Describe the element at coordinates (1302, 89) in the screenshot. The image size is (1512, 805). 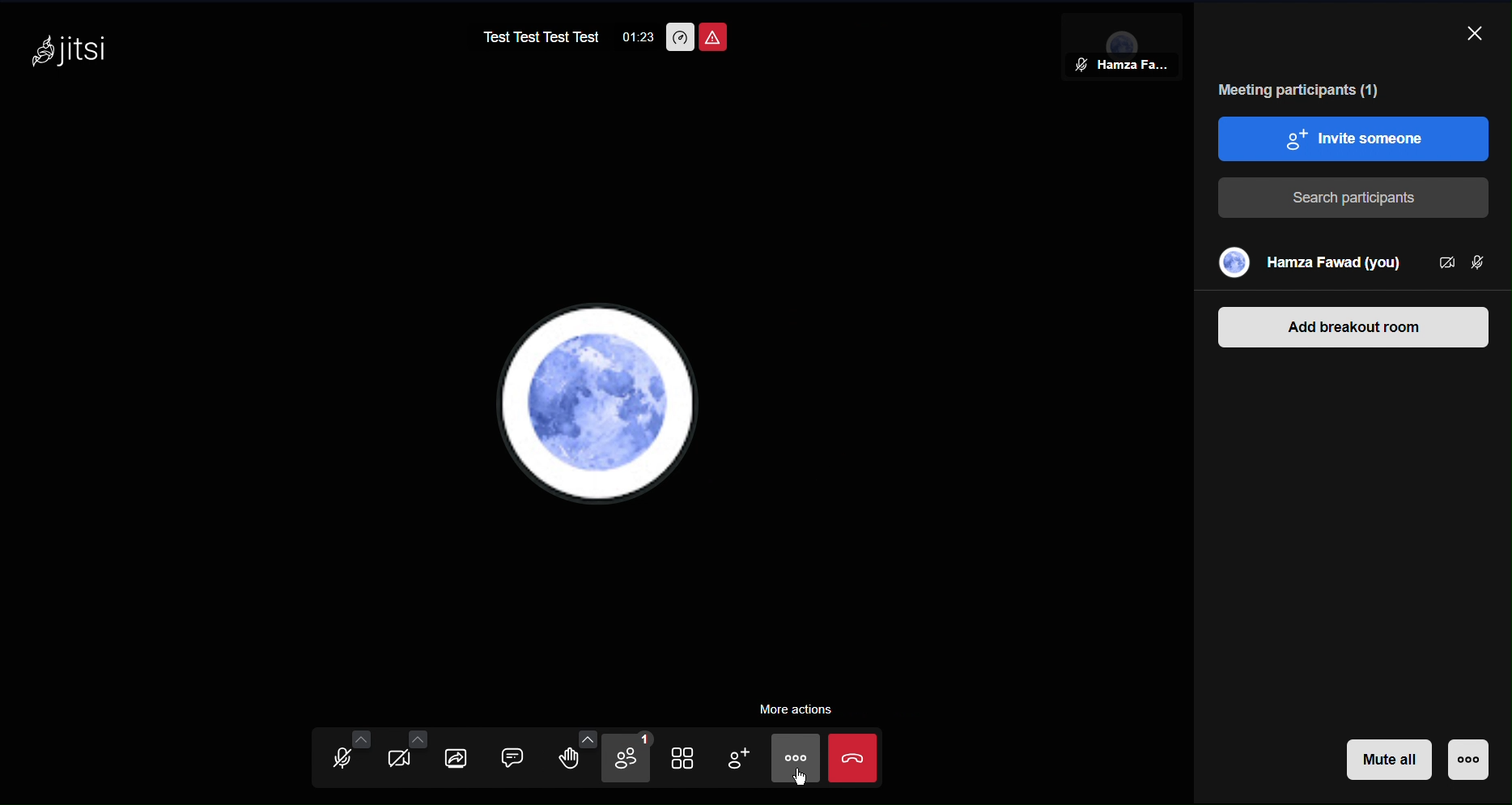
I see `Meeting Participants` at that location.